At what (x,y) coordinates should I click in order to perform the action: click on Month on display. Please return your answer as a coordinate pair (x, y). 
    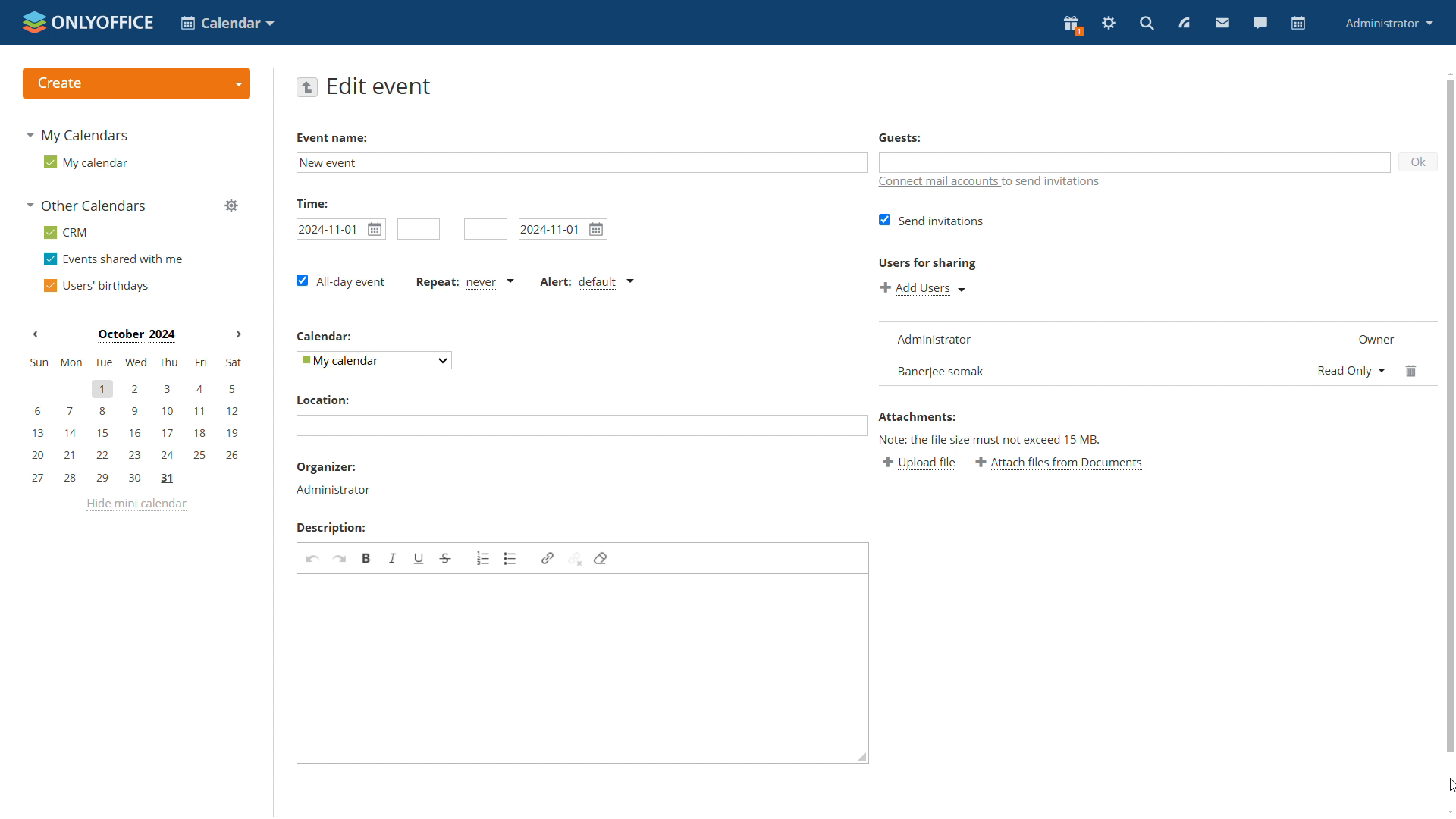
    Looking at the image, I should click on (135, 335).